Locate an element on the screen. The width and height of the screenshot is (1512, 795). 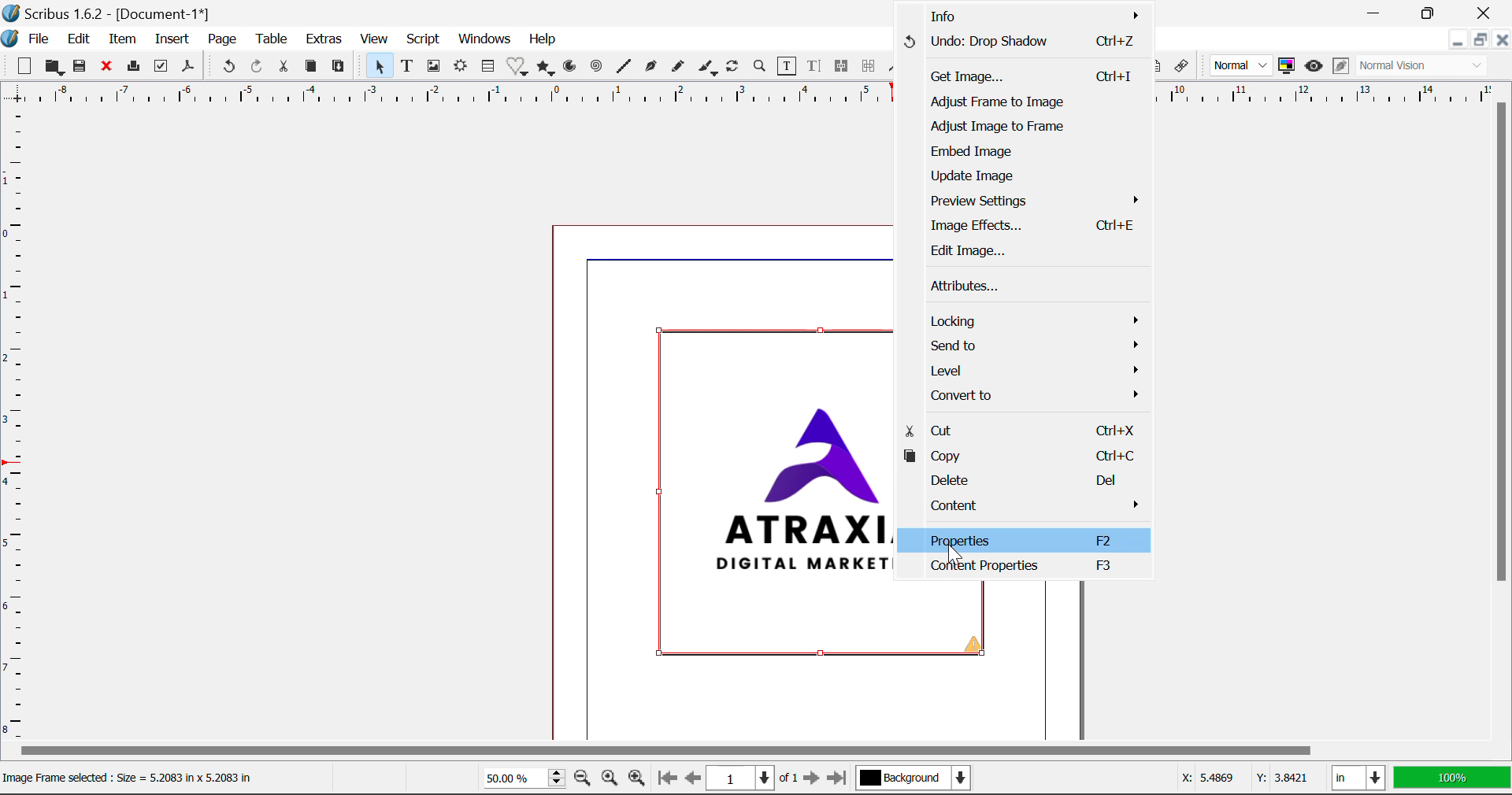
Vertical Scroll Bar is located at coordinates (1503, 400).